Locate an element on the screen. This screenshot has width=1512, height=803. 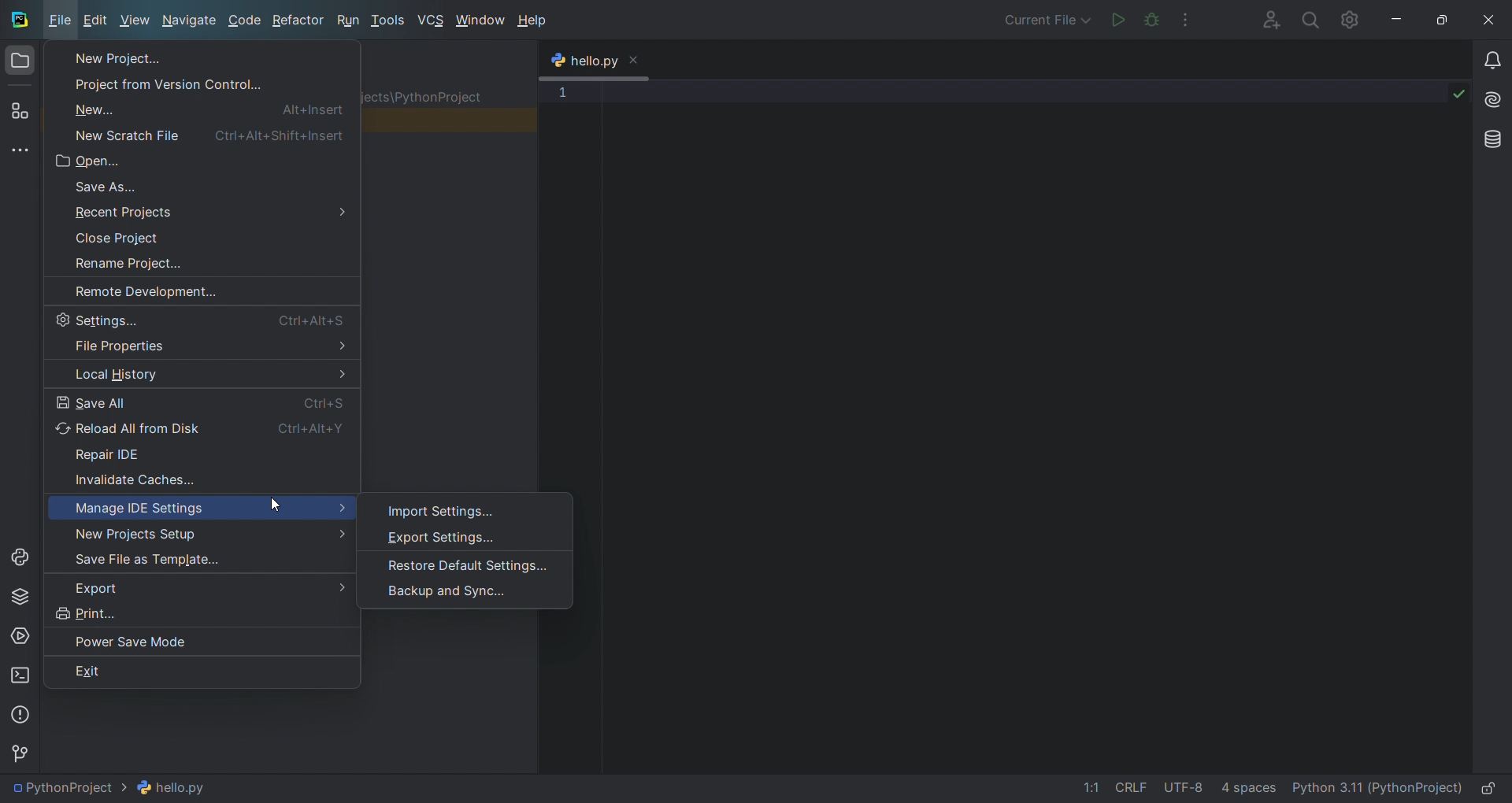
interpreter is located at coordinates (1377, 786).